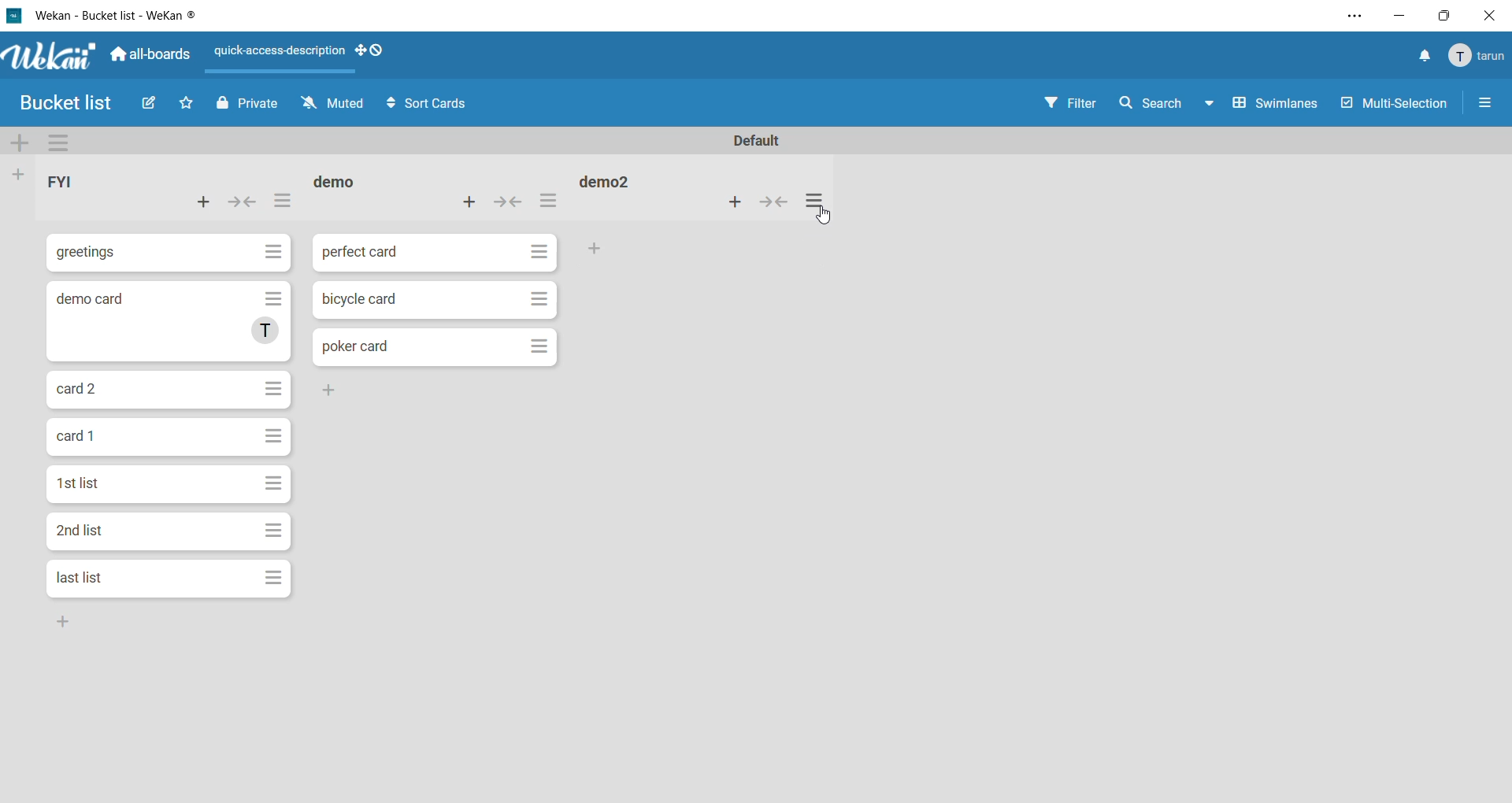  I want to click on list 3, so click(614, 185).